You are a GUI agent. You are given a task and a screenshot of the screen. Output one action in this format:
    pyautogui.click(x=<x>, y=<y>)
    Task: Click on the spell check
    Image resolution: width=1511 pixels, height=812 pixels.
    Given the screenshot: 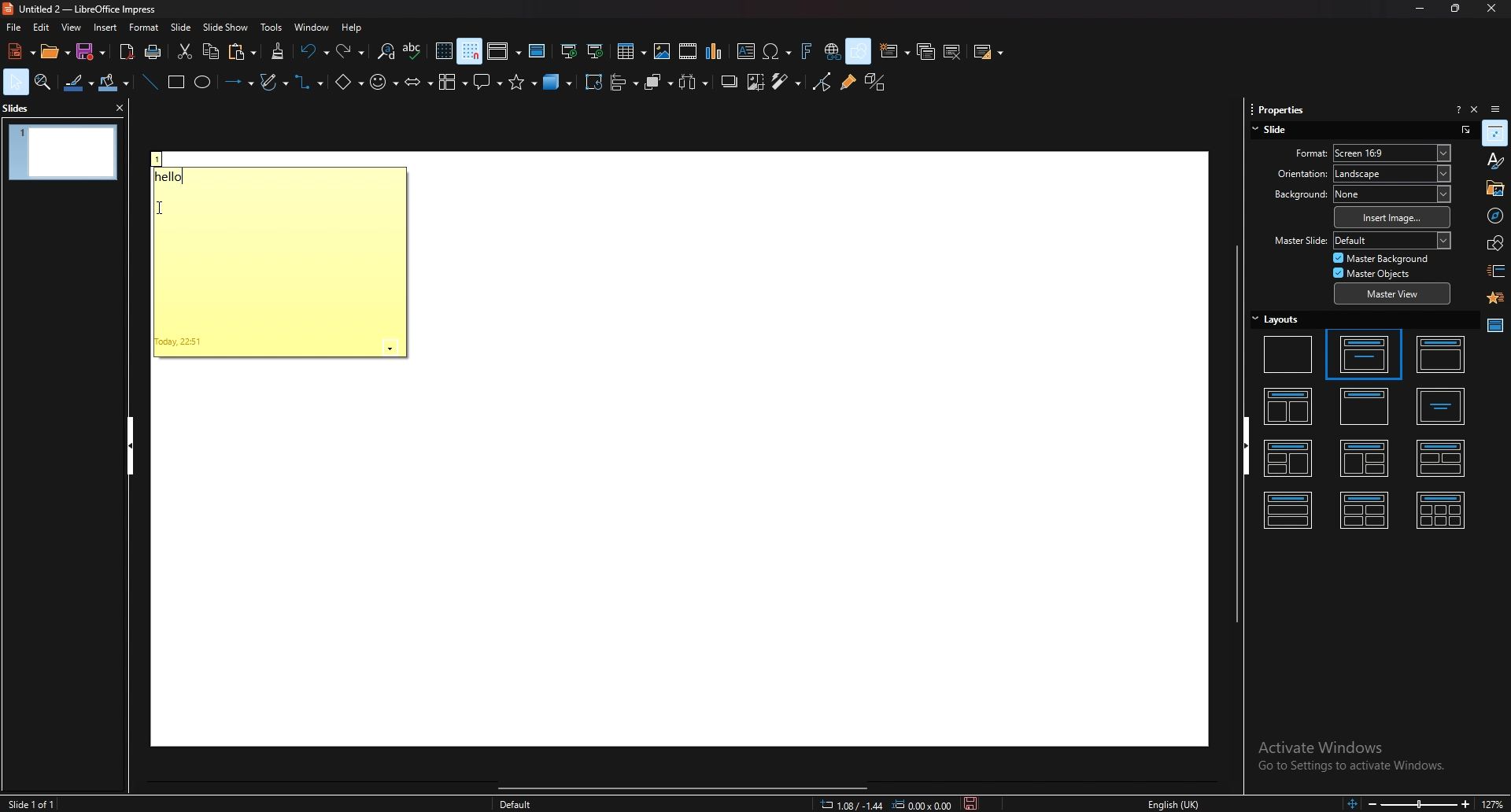 What is the action you would take?
    pyautogui.click(x=413, y=51)
    